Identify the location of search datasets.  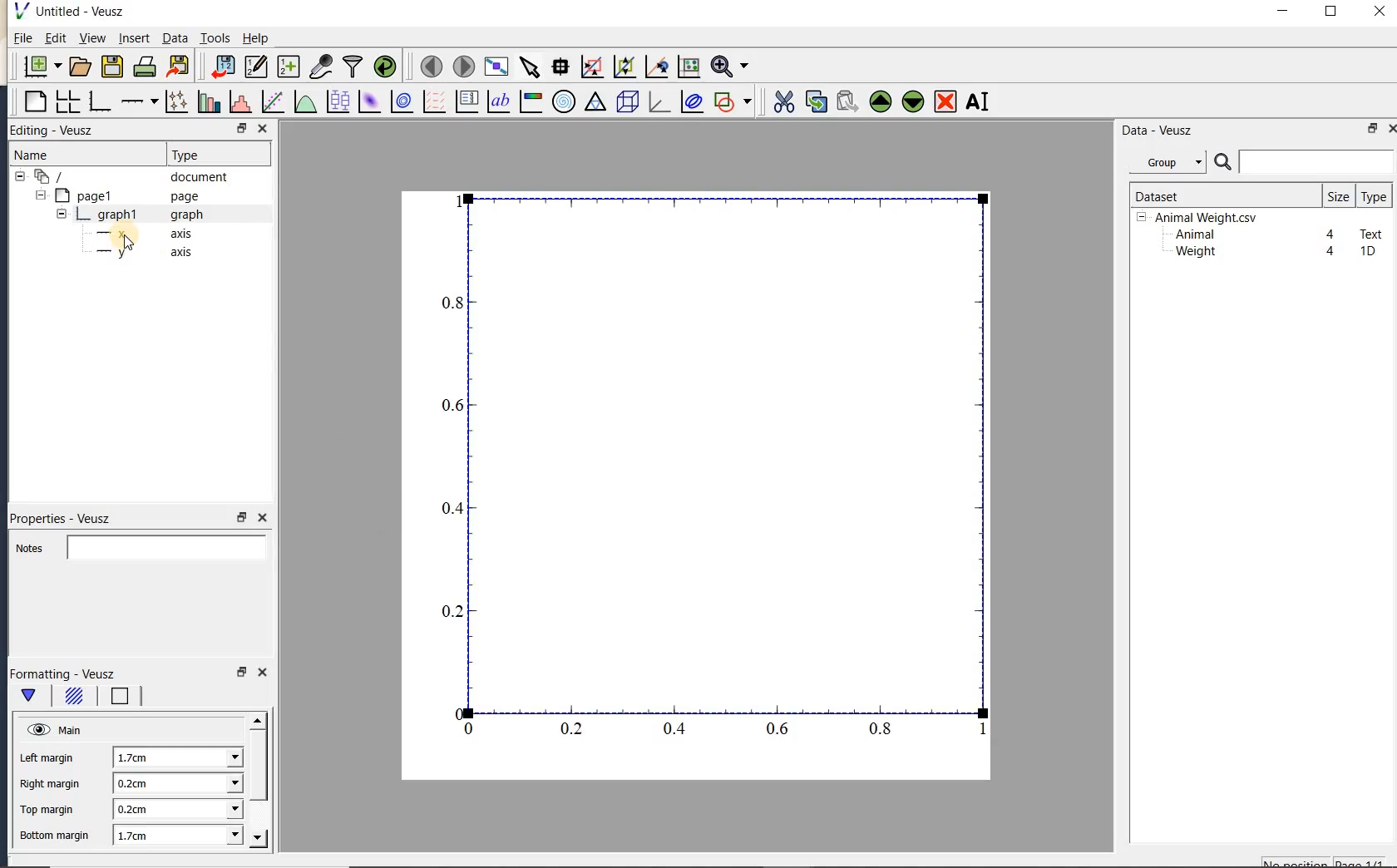
(1304, 162).